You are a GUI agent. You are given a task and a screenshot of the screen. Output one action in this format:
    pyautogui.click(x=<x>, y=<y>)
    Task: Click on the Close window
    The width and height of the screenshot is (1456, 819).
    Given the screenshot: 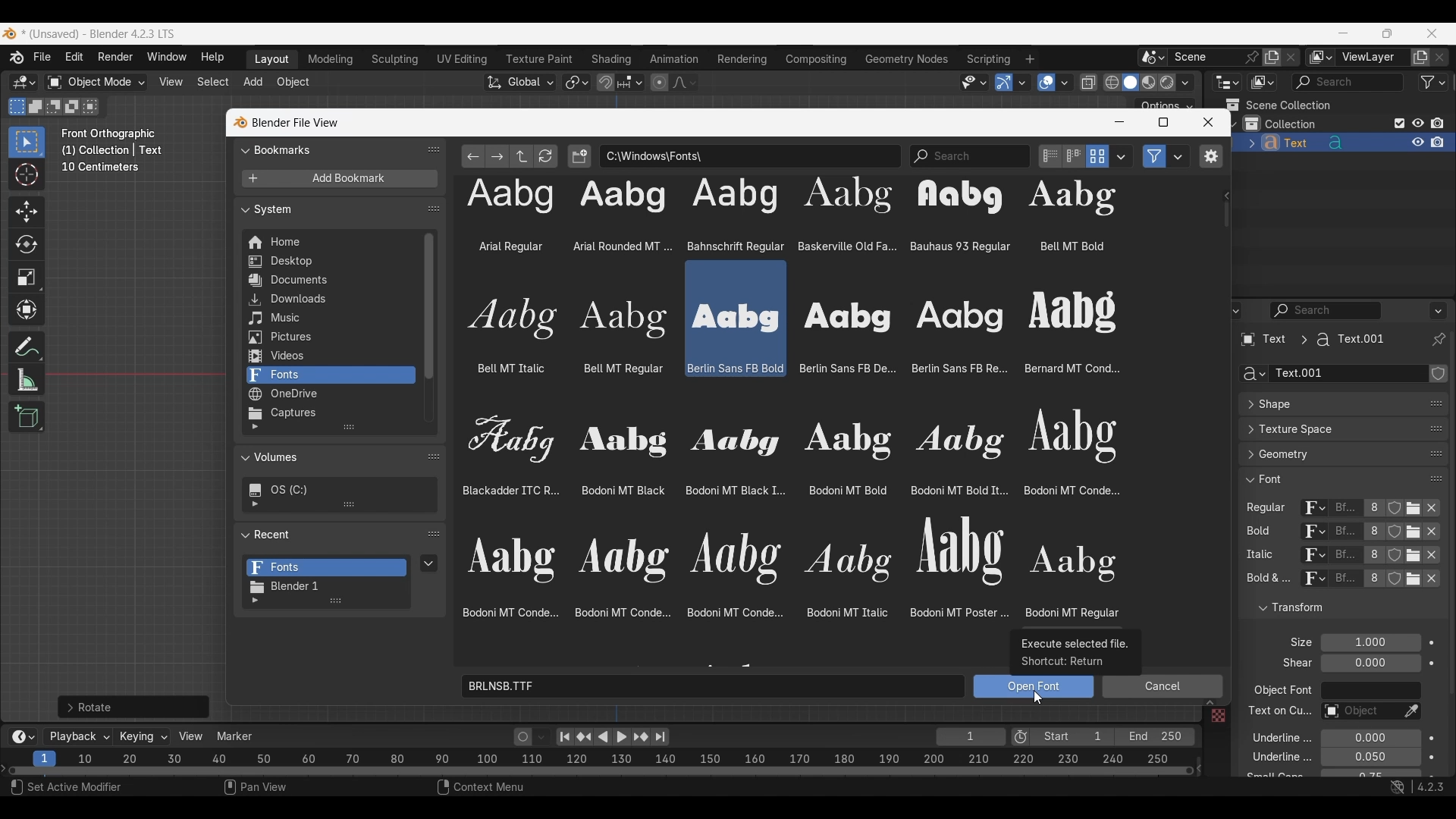 What is the action you would take?
    pyautogui.click(x=1208, y=122)
    